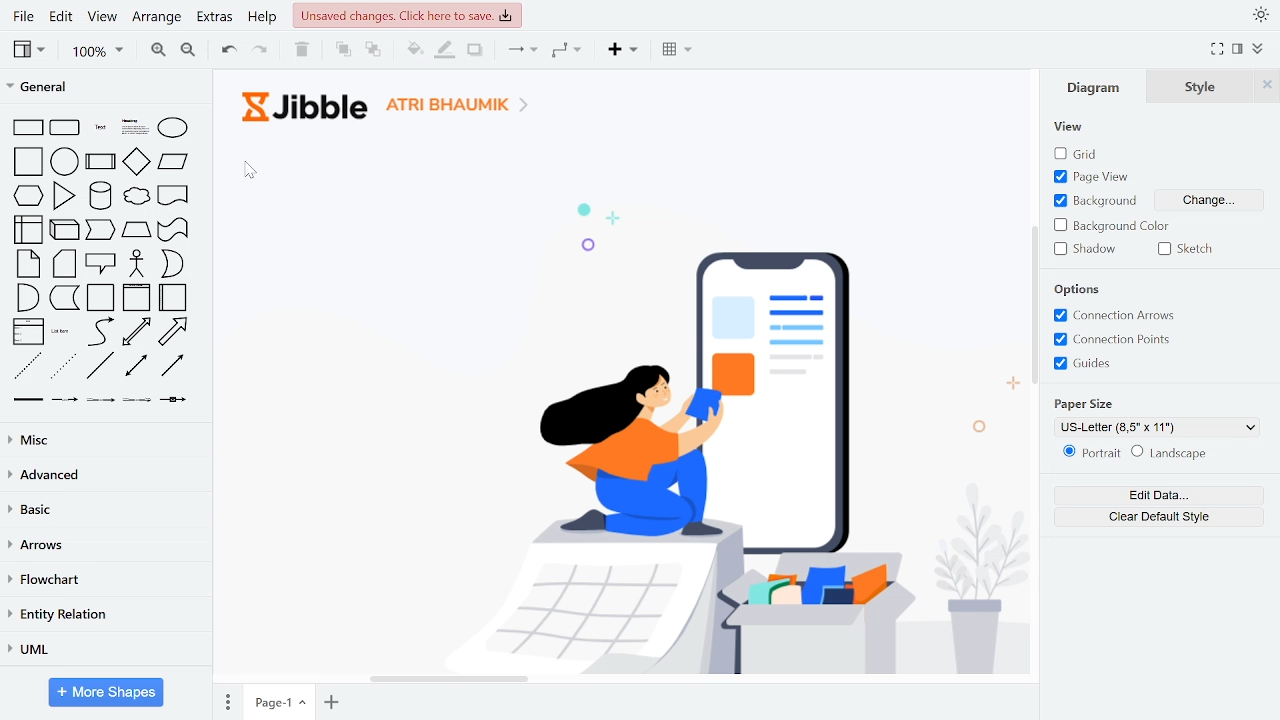 The width and height of the screenshot is (1280, 720). What do you see at coordinates (63, 400) in the screenshot?
I see `general shapes` at bounding box center [63, 400].